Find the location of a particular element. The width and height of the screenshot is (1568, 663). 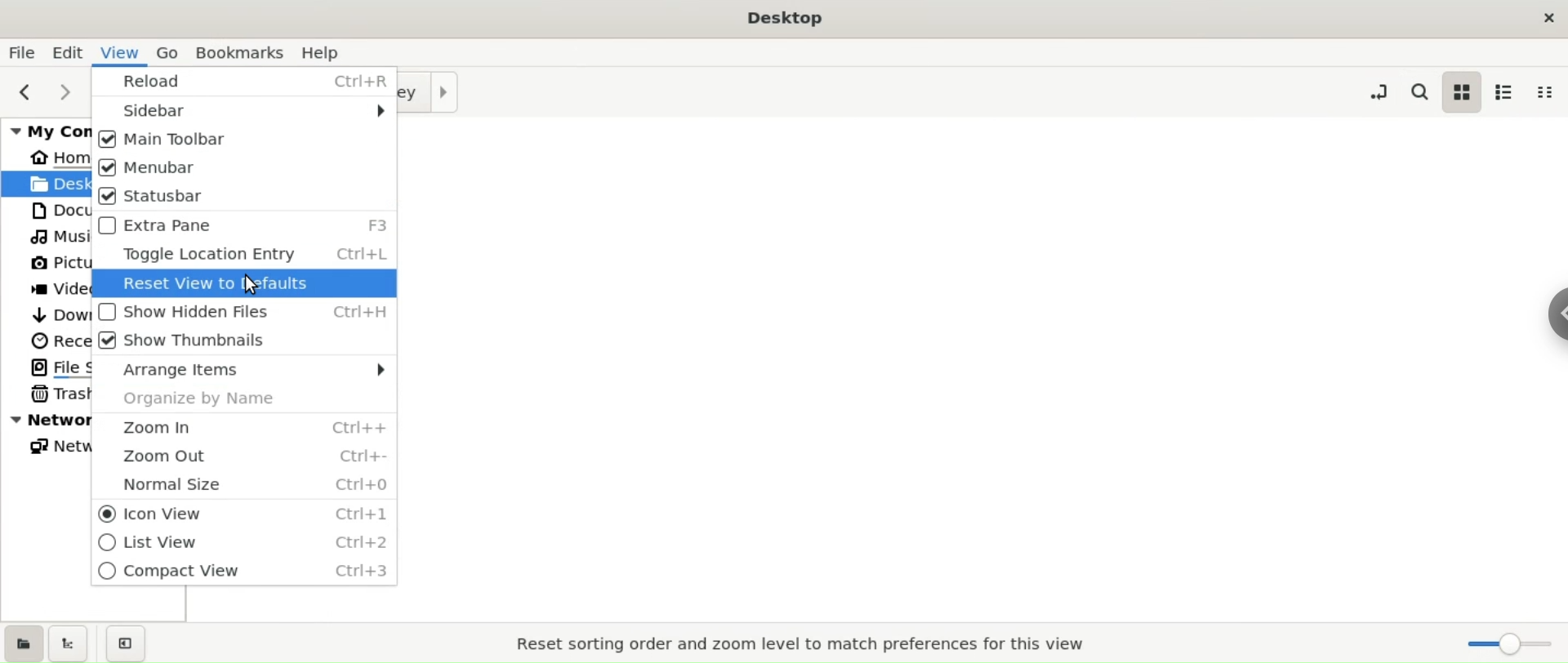

status bar is located at coordinates (247, 198).